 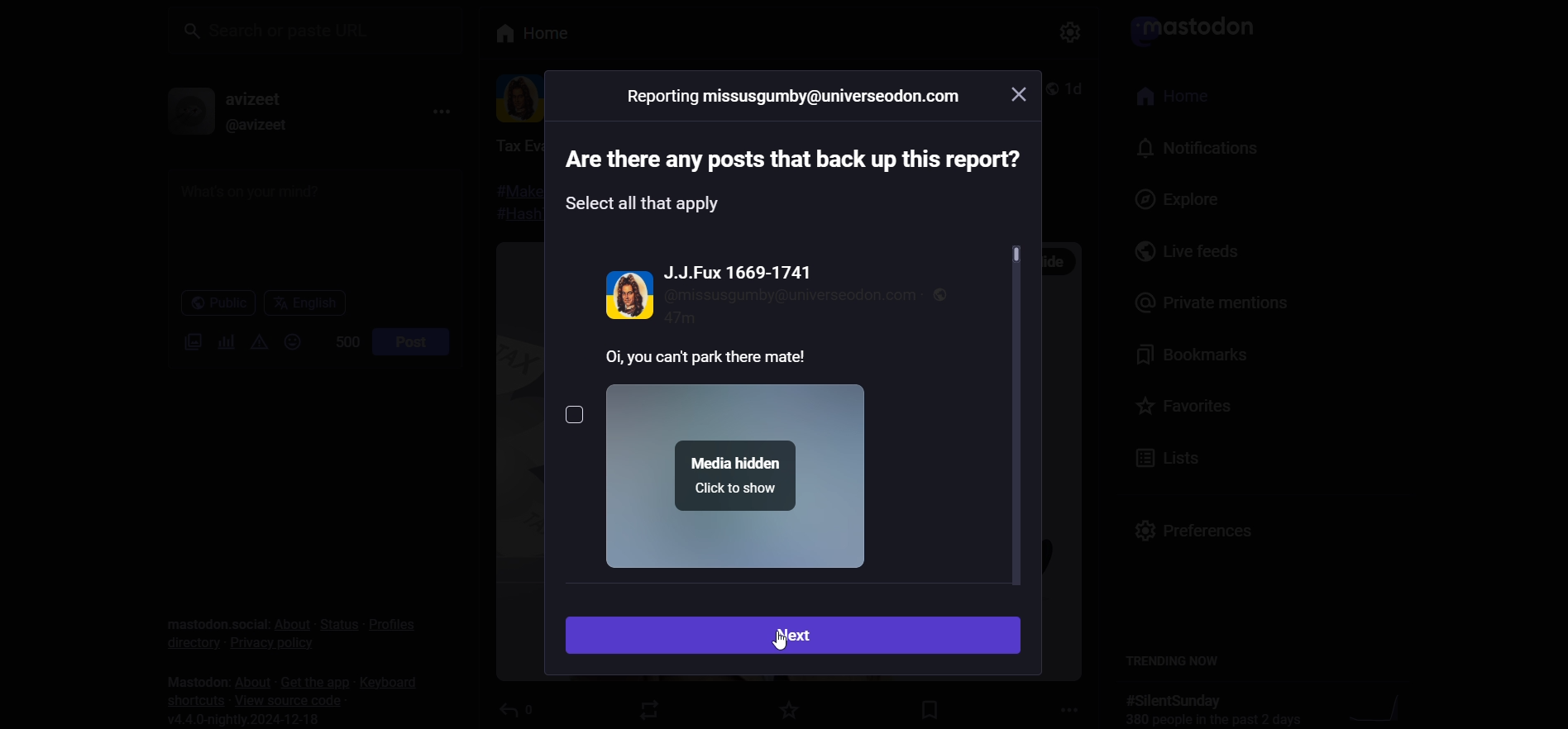 What do you see at coordinates (778, 646) in the screenshot?
I see `cursor` at bounding box center [778, 646].